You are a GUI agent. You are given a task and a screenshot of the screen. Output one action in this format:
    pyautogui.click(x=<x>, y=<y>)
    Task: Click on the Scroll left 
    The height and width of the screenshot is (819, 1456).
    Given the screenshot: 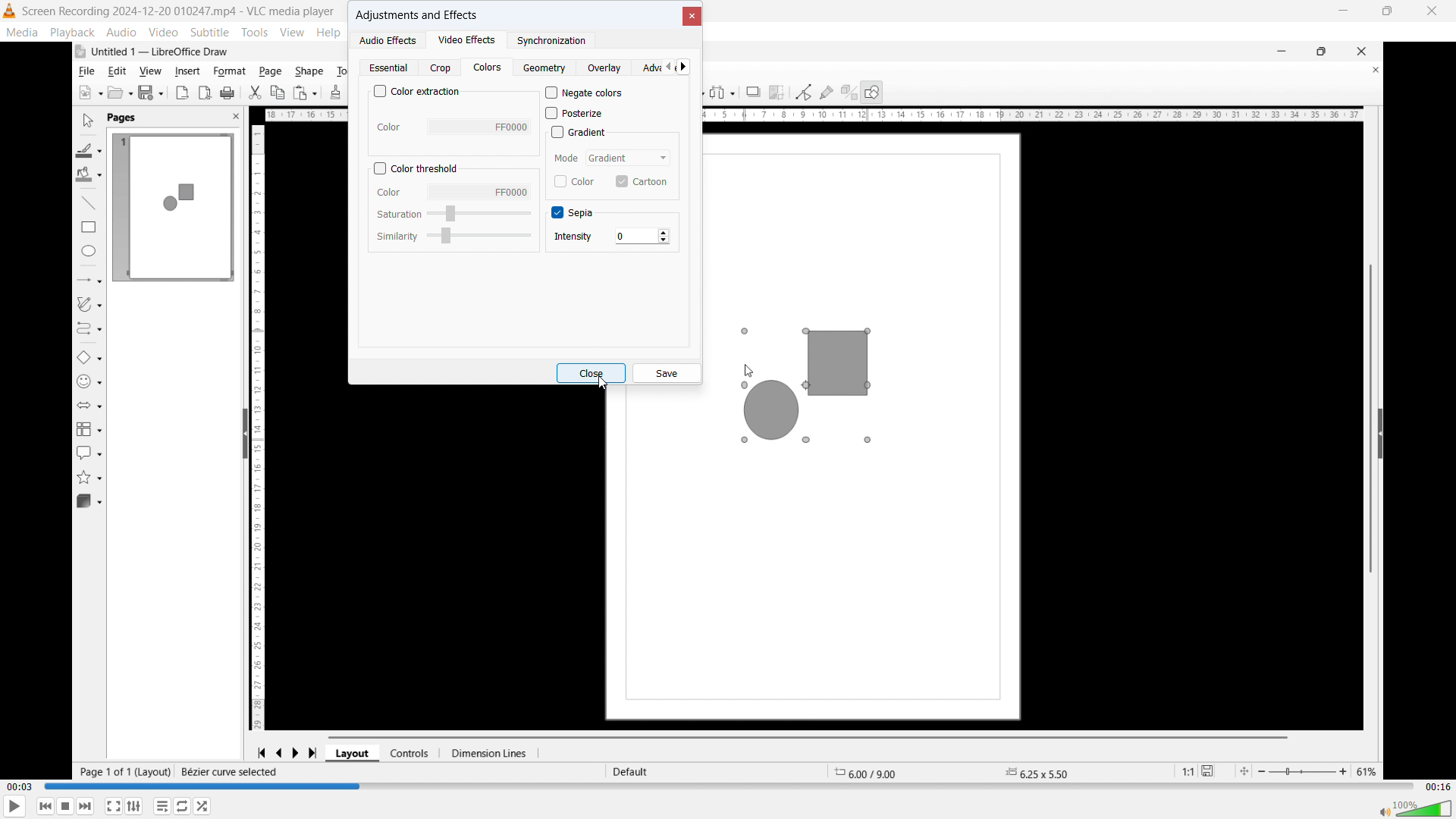 What is the action you would take?
    pyautogui.click(x=667, y=67)
    